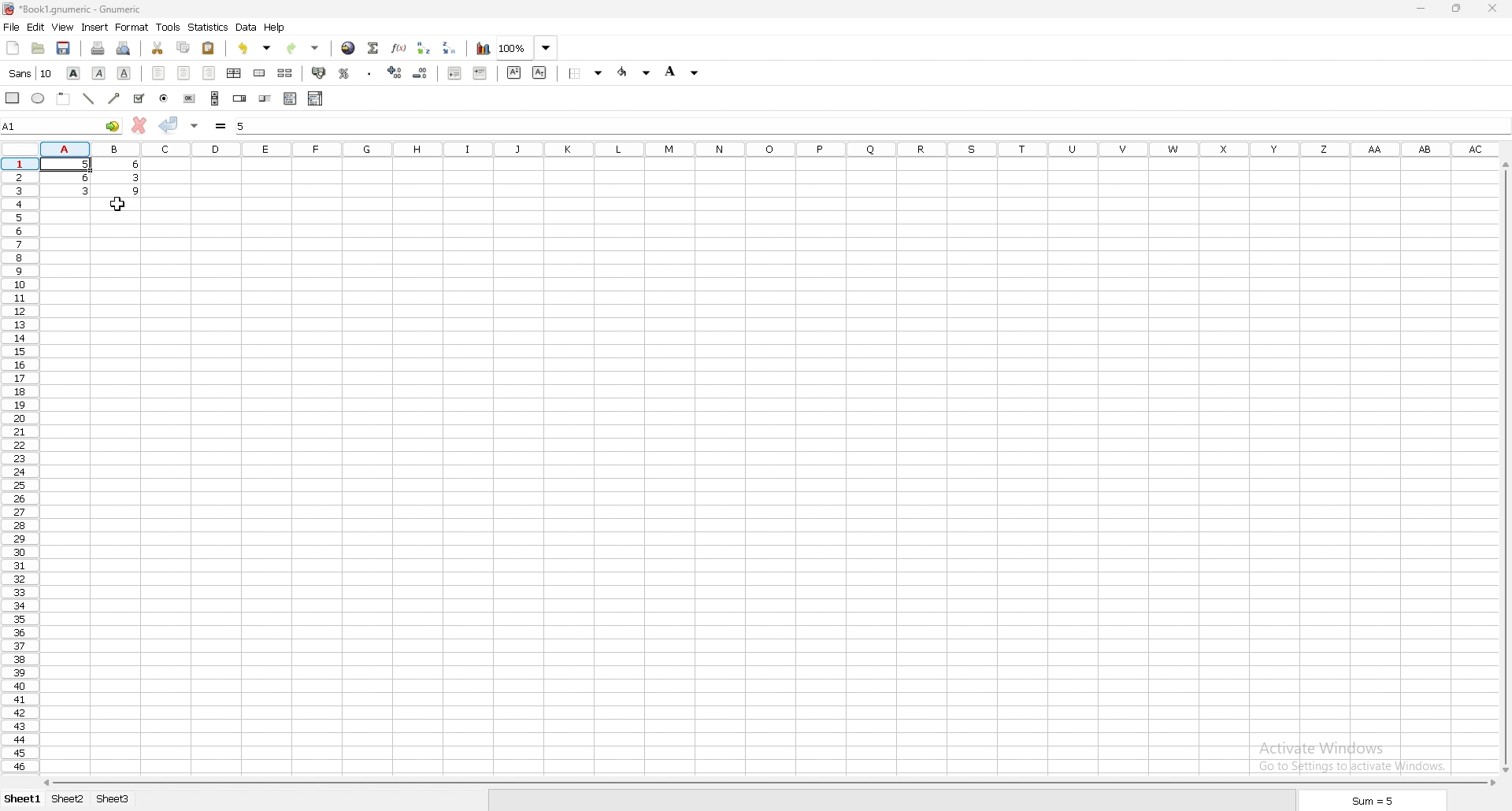 This screenshot has width=1512, height=811. Describe the element at coordinates (1492, 7) in the screenshot. I see `close` at that location.